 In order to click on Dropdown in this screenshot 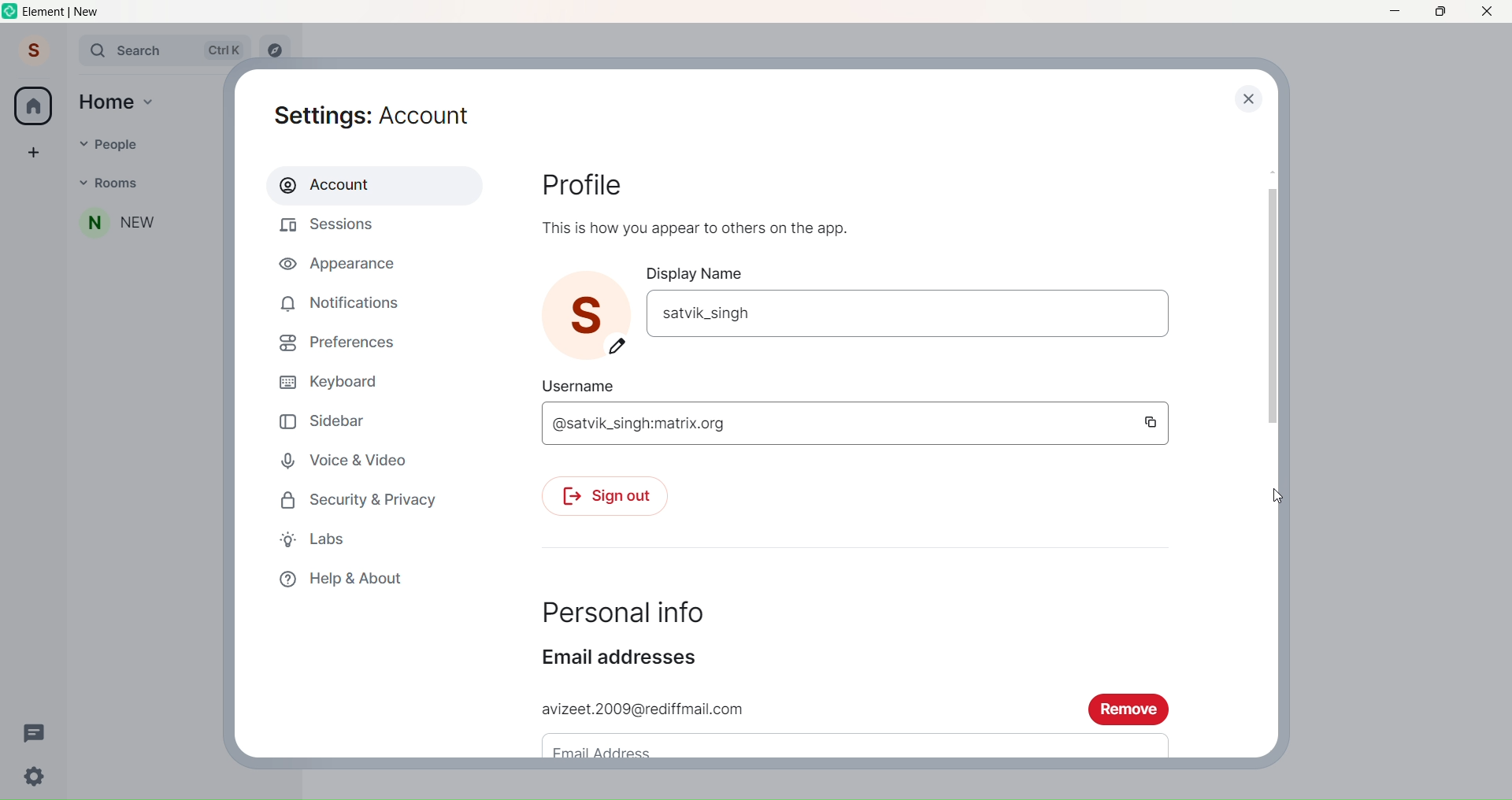, I will do `click(82, 181)`.